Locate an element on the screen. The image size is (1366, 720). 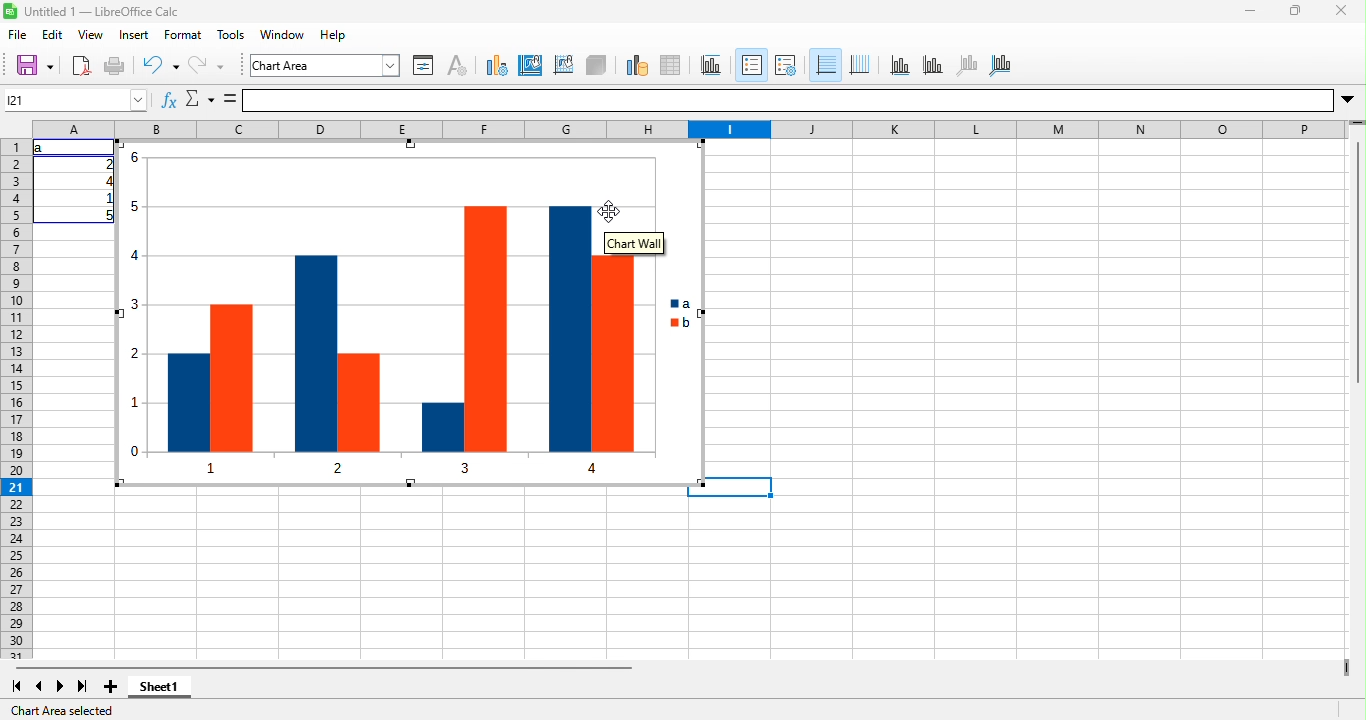
chart area is located at coordinates (531, 67).